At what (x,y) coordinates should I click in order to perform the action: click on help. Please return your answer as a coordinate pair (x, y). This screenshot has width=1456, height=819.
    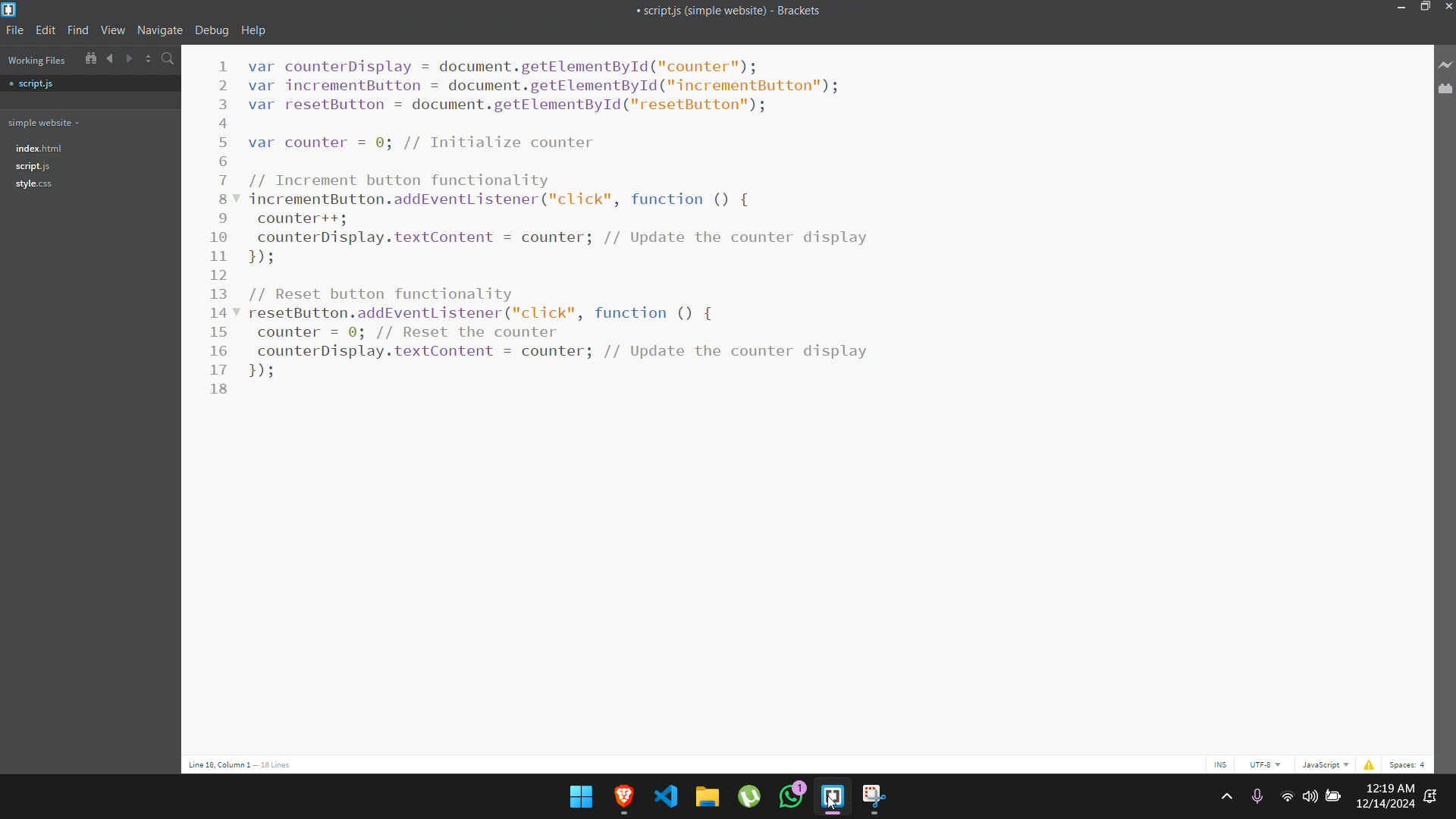
    Looking at the image, I should click on (256, 31).